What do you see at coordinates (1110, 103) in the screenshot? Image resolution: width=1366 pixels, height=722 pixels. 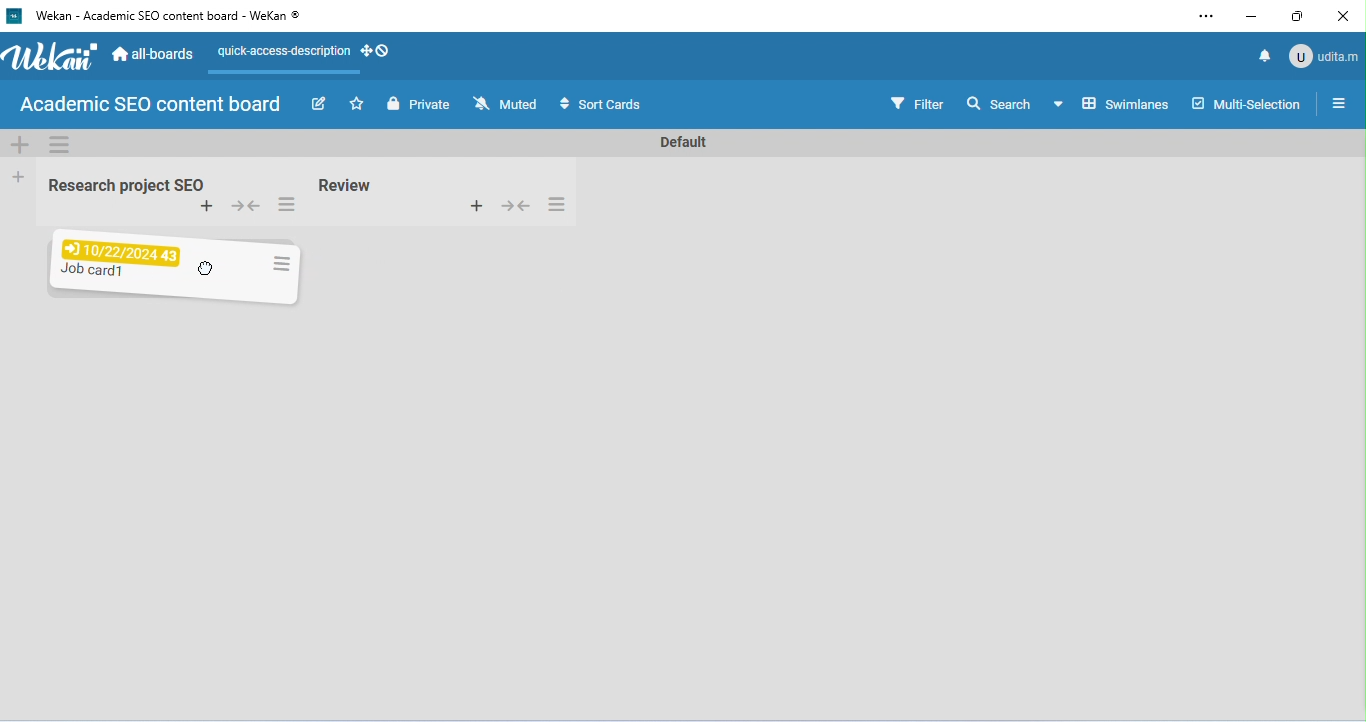 I see `board view` at bounding box center [1110, 103].